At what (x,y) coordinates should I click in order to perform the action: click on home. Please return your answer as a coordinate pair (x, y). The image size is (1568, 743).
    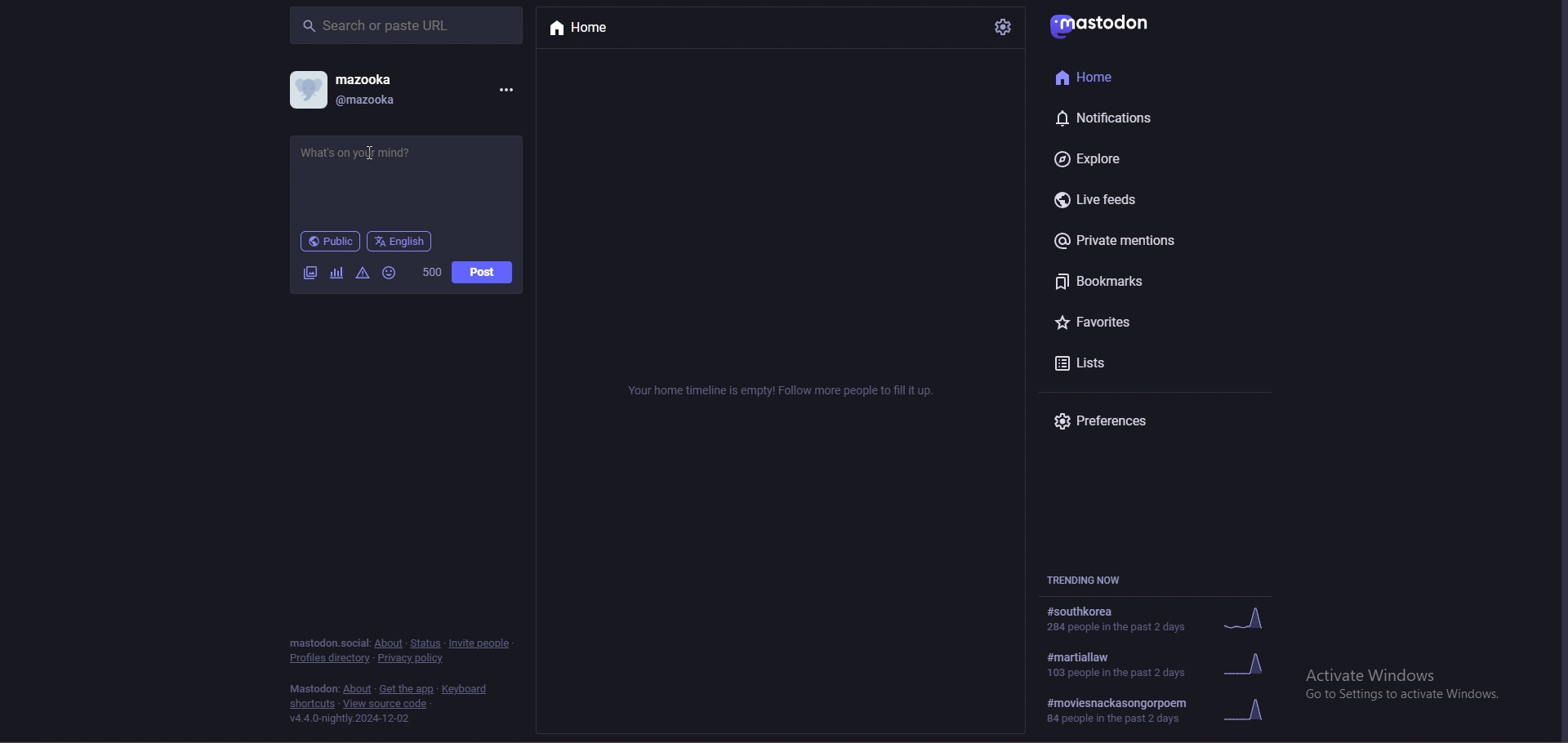
    Looking at the image, I should click on (1122, 78).